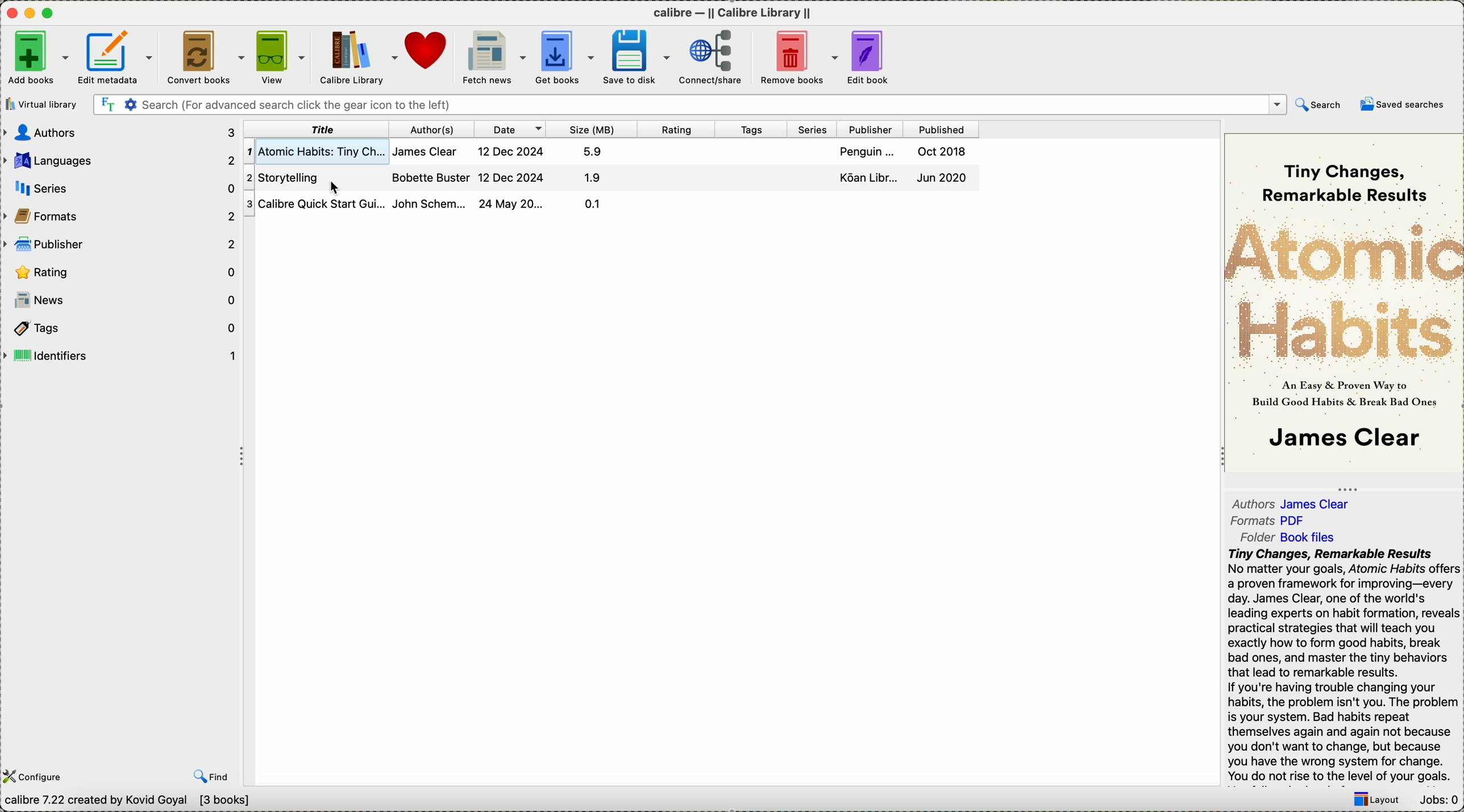 The height and width of the screenshot is (812, 1464). Describe the element at coordinates (50, 13) in the screenshot. I see `maximize` at that location.